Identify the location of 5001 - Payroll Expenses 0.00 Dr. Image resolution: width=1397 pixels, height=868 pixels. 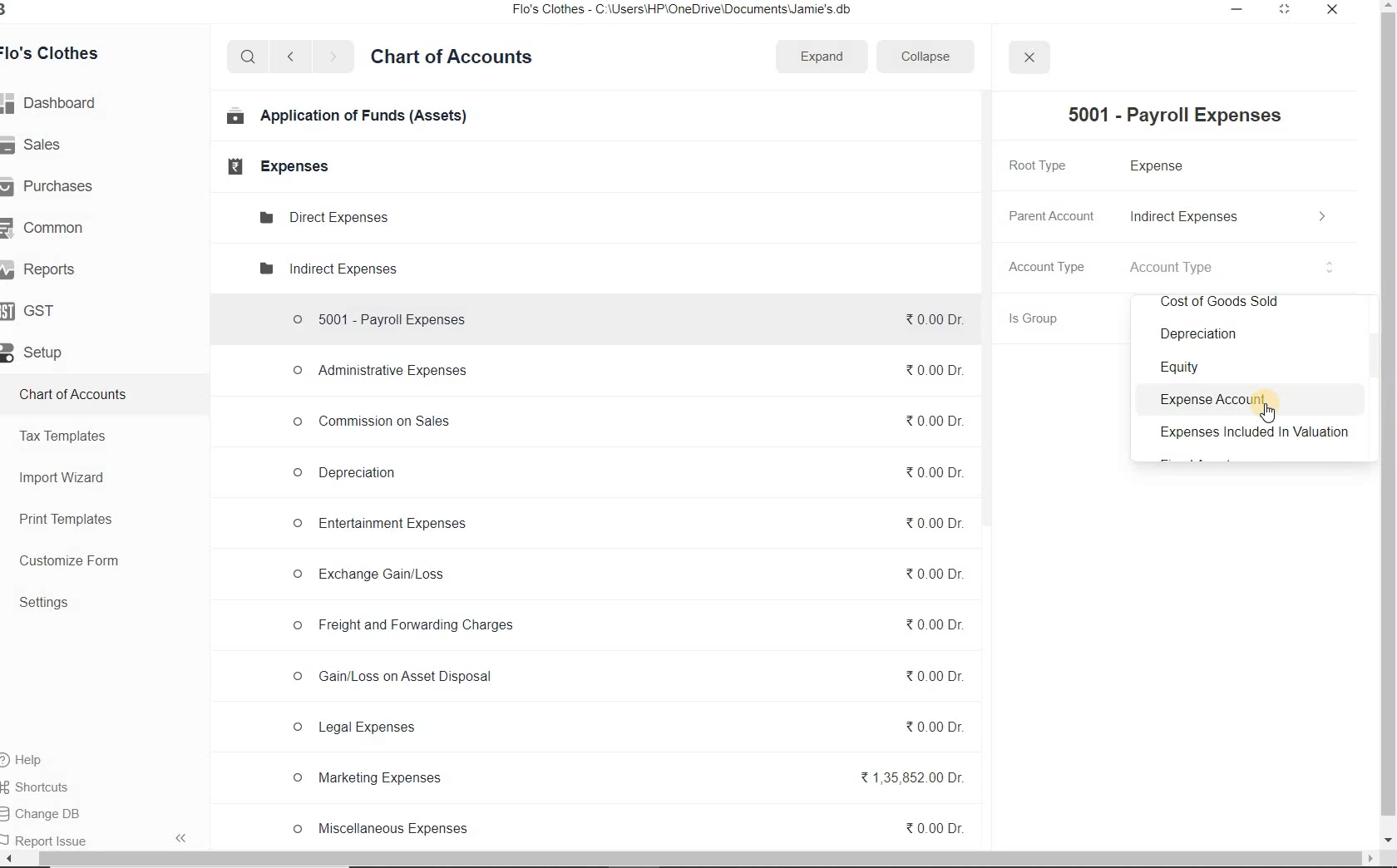
(627, 316).